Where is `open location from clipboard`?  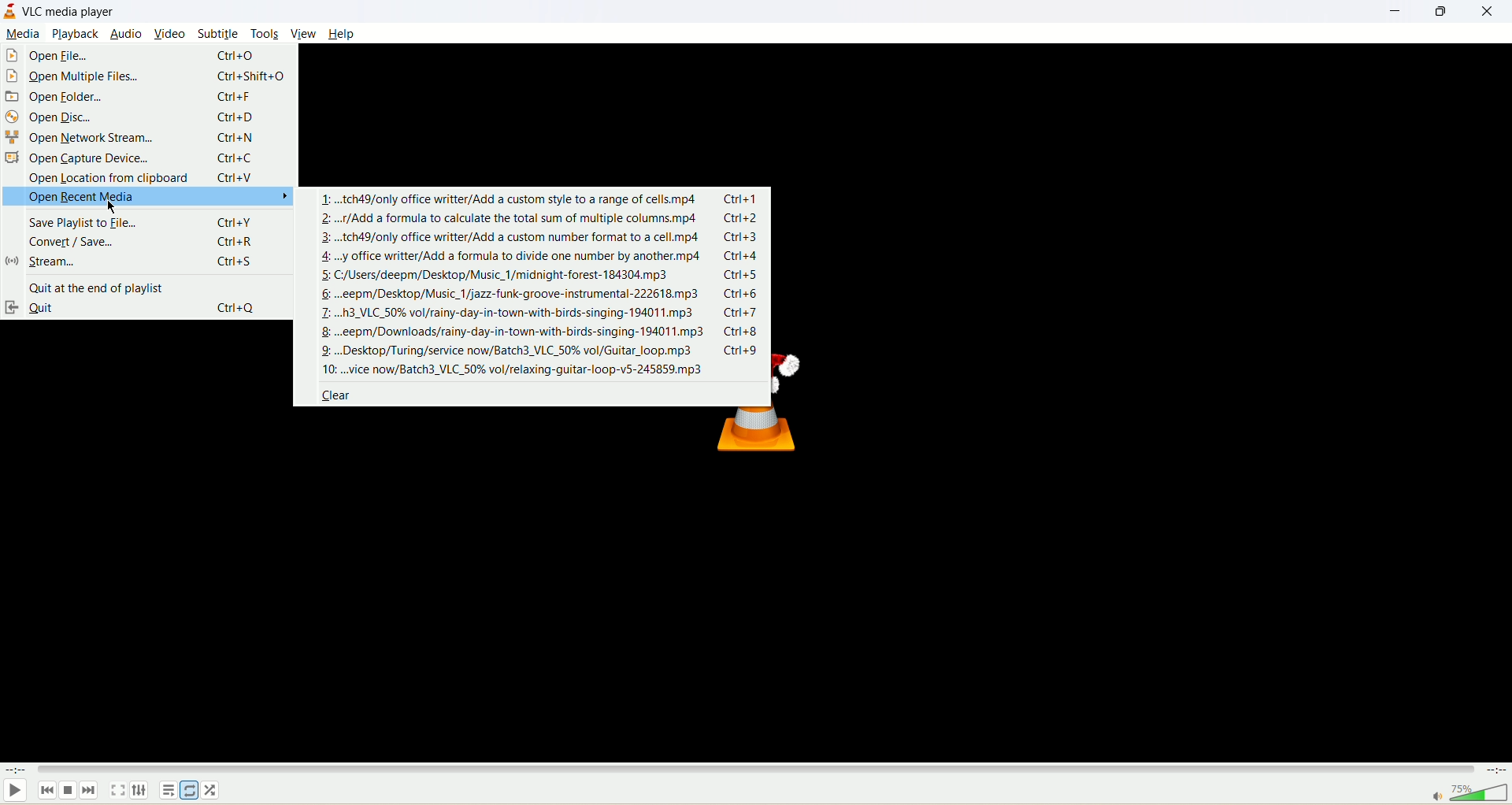 open location from clipboard is located at coordinates (117, 178).